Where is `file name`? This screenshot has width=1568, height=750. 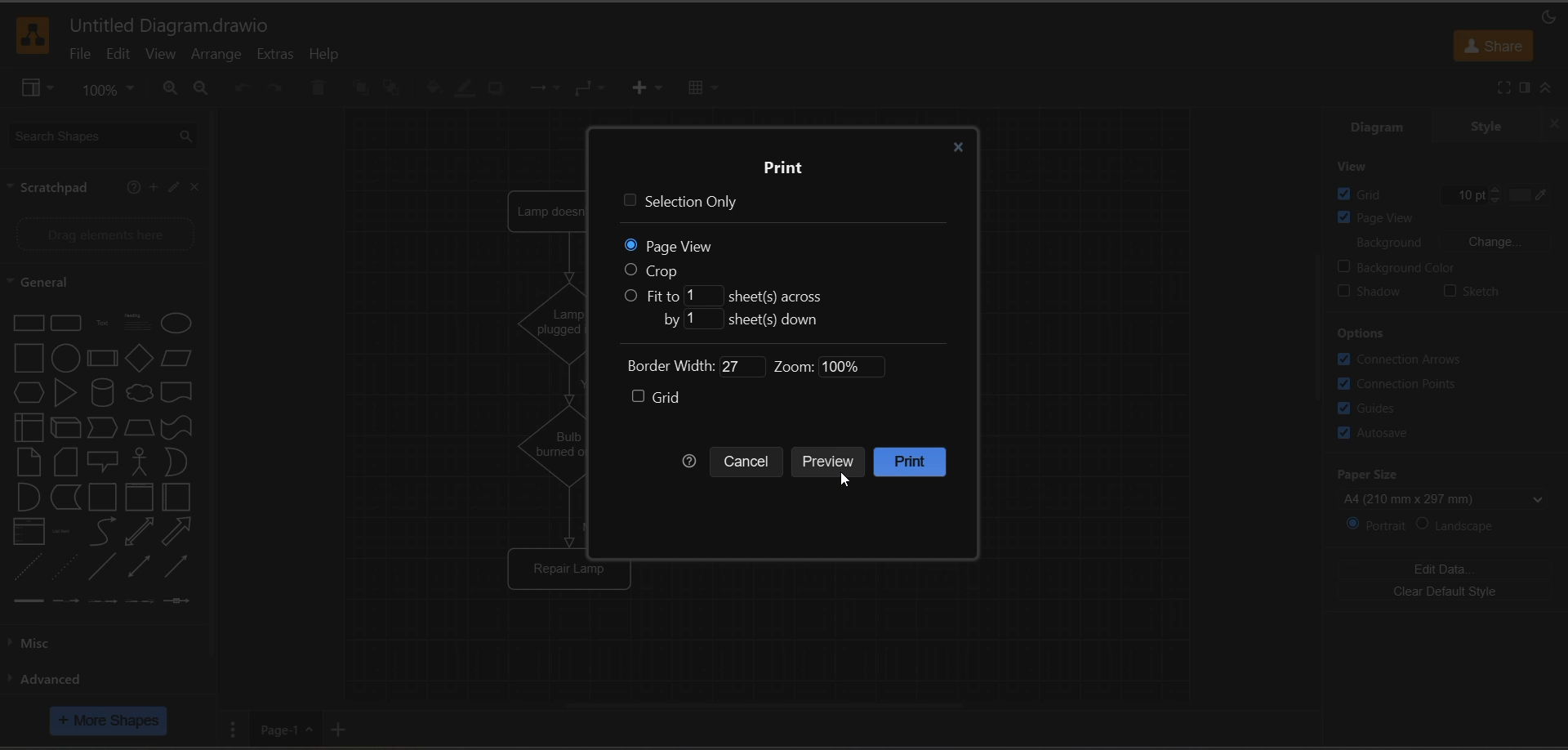
file name is located at coordinates (171, 27).